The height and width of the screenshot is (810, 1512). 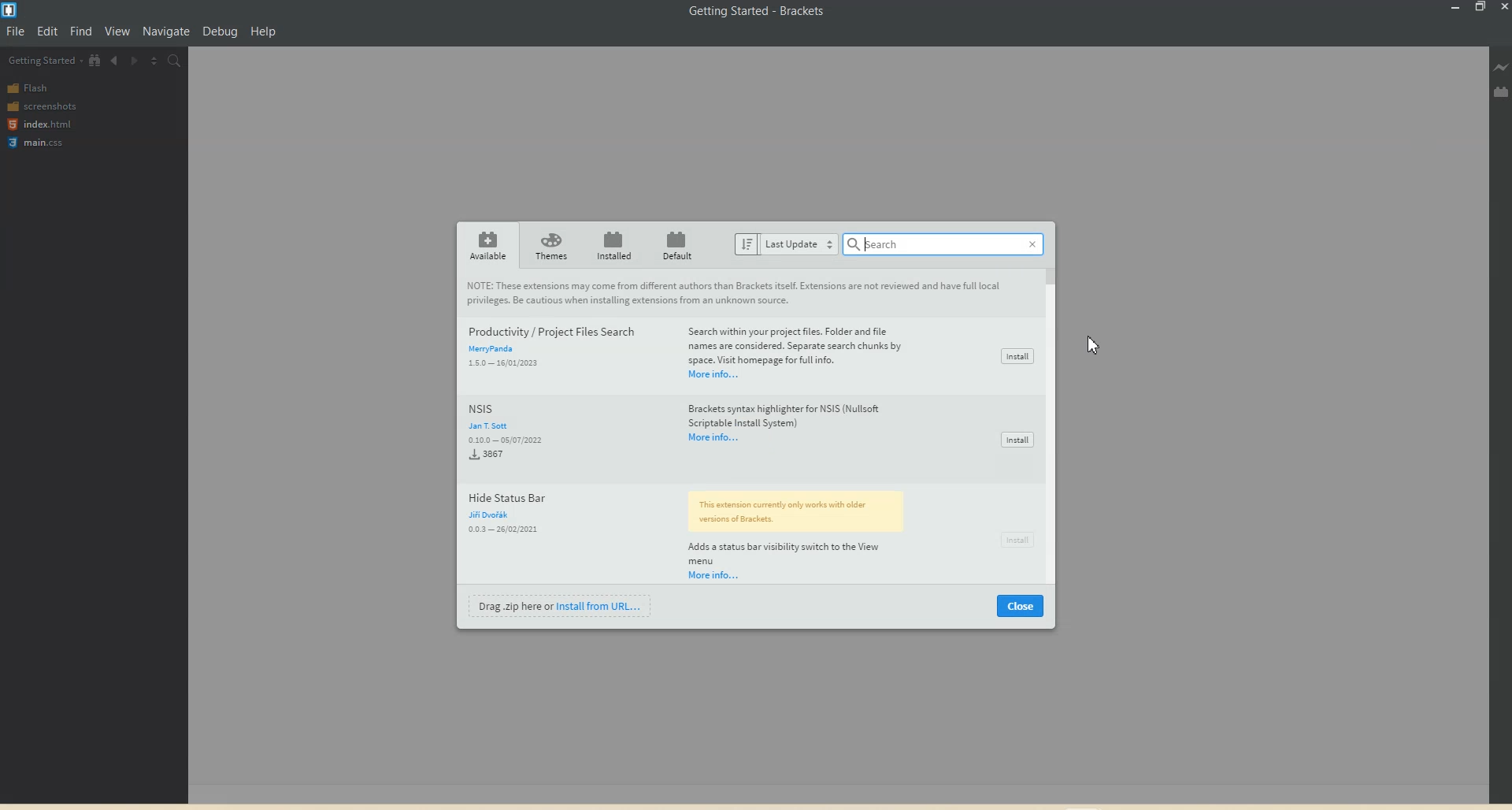 What do you see at coordinates (1502, 91) in the screenshot?
I see `Extension manager` at bounding box center [1502, 91].